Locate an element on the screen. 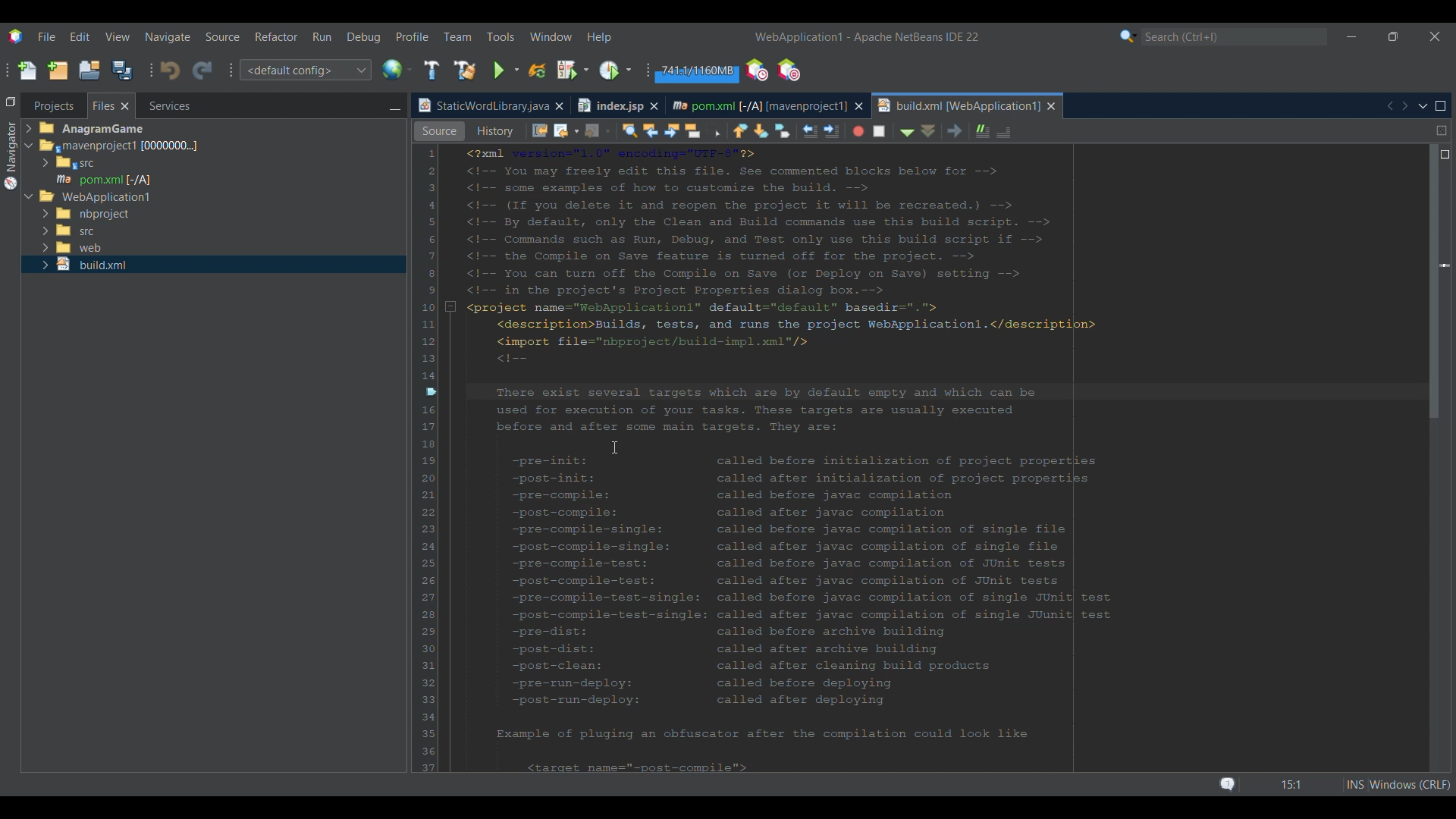  Previous bookmark is located at coordinates (877, 128).